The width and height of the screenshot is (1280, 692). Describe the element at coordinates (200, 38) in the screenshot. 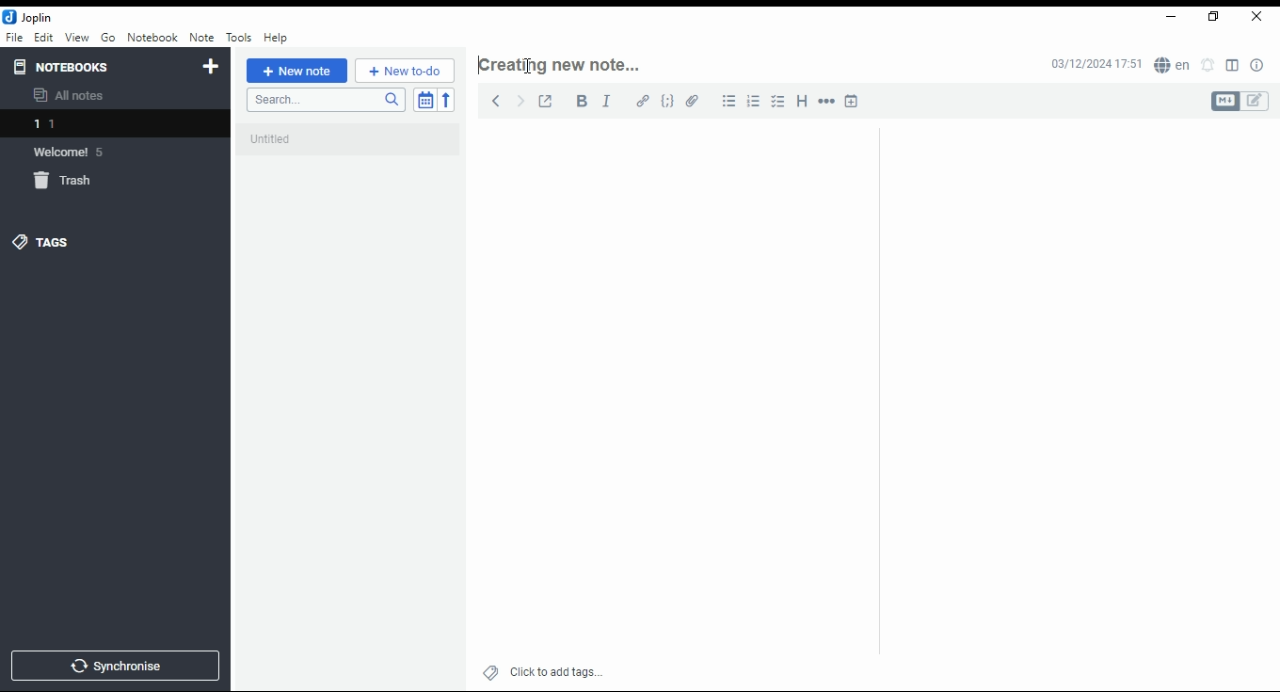

I see `note` at that location.